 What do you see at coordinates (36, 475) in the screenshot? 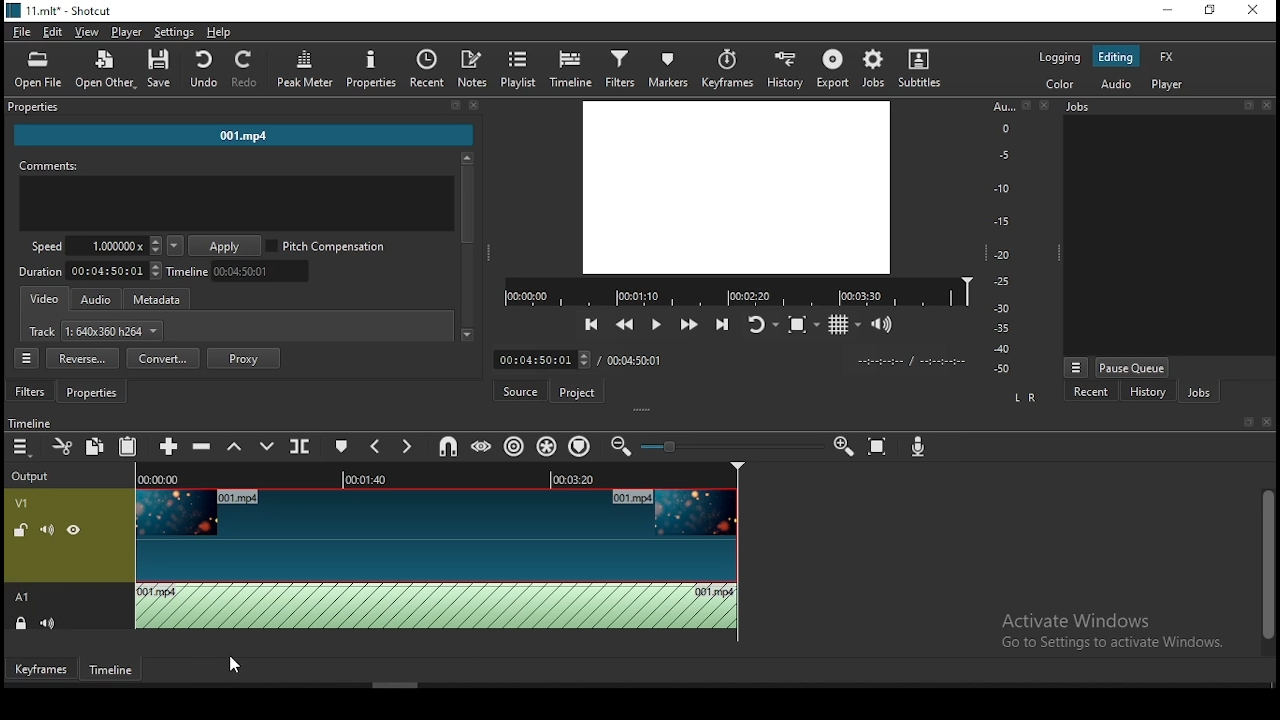
I see `Output` at bounding box center [36, 475].